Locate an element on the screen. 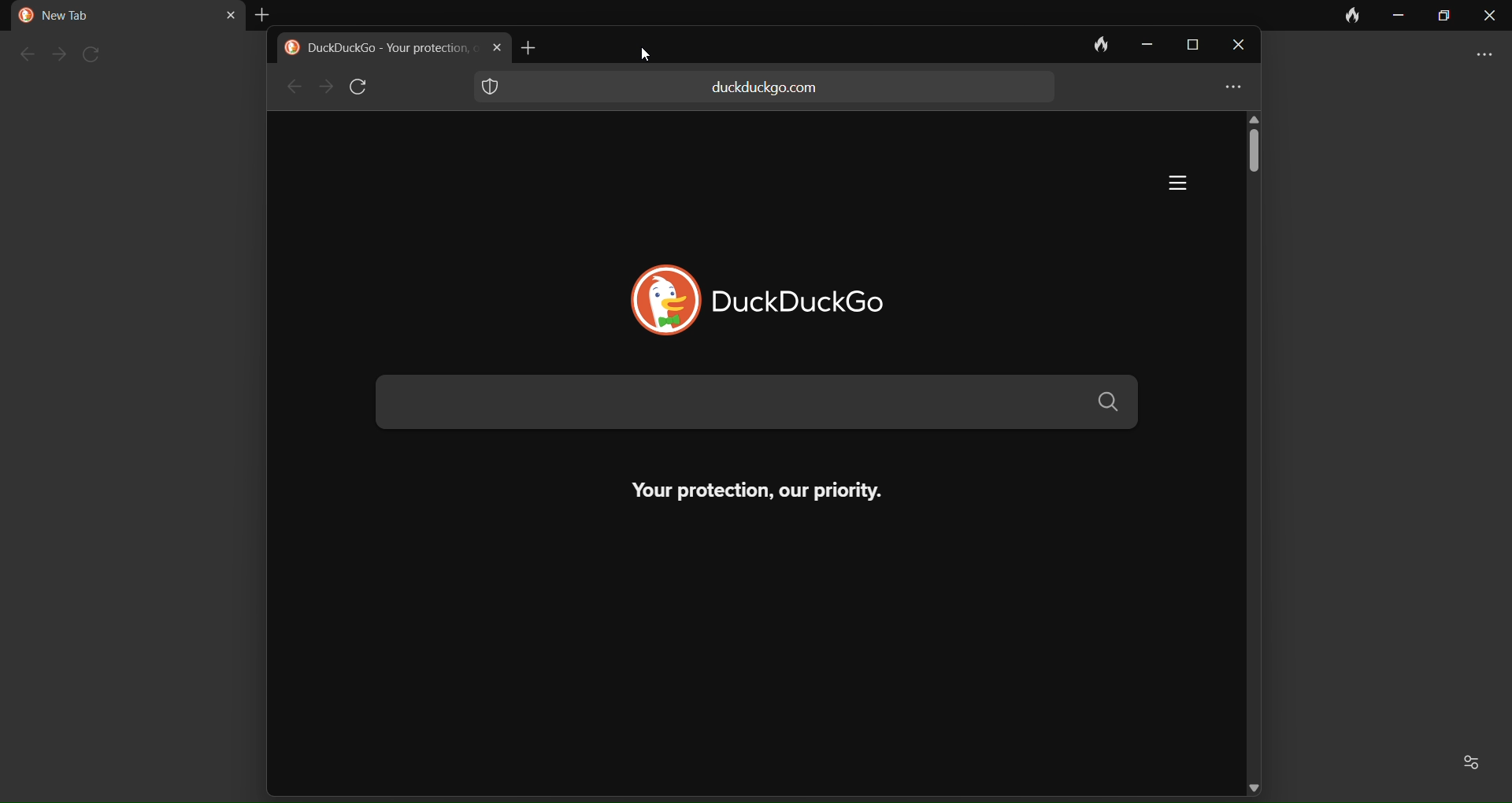  maximize is located at coordinates (1445, 17).